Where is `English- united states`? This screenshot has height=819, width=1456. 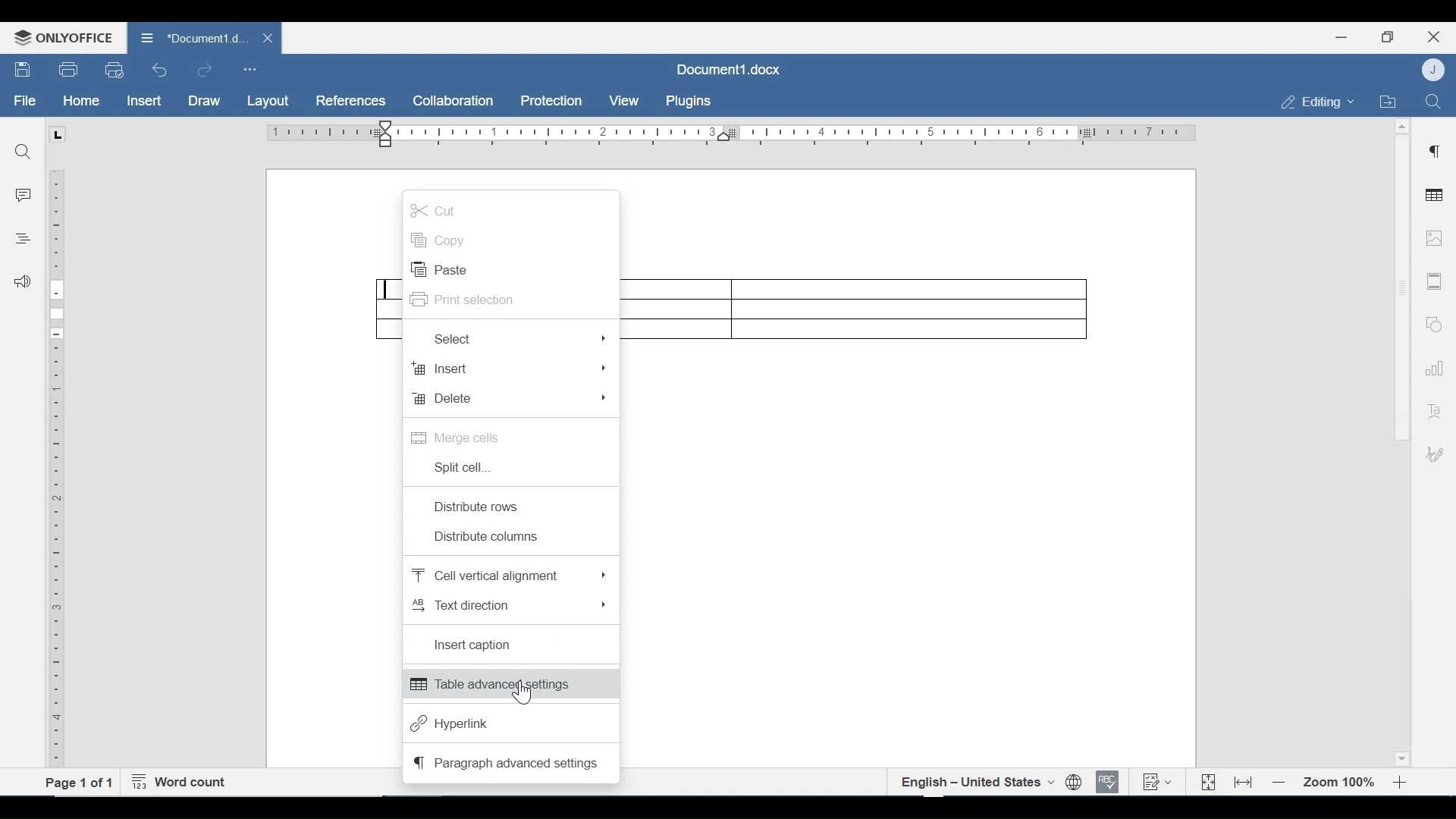
English- united states is located at coordinates (976, 782).